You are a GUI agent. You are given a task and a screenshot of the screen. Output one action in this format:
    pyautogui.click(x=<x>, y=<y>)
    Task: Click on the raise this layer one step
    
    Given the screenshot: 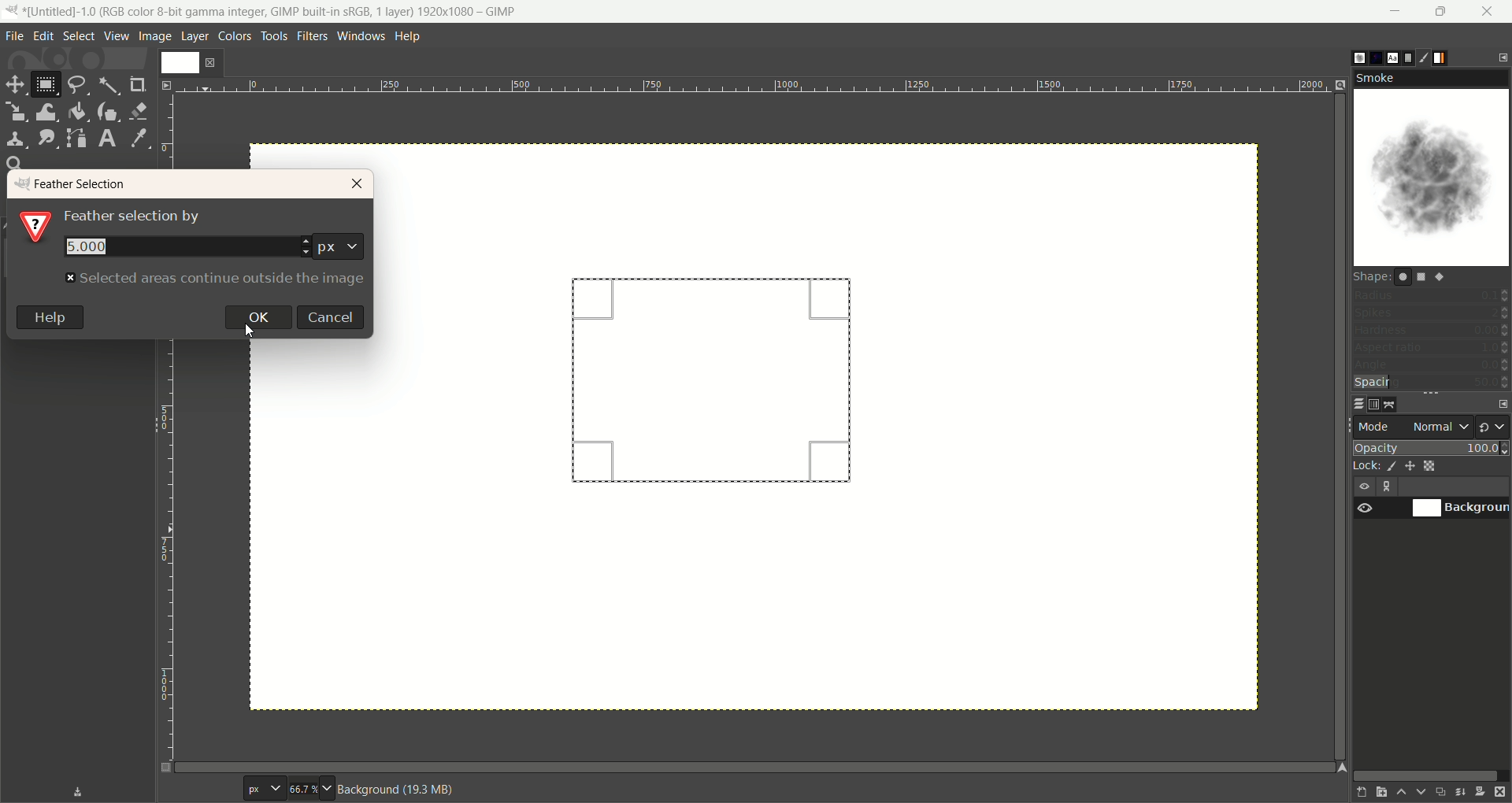 What is the action you would take?
    pyautogui.click(x=1402, y=793)
    